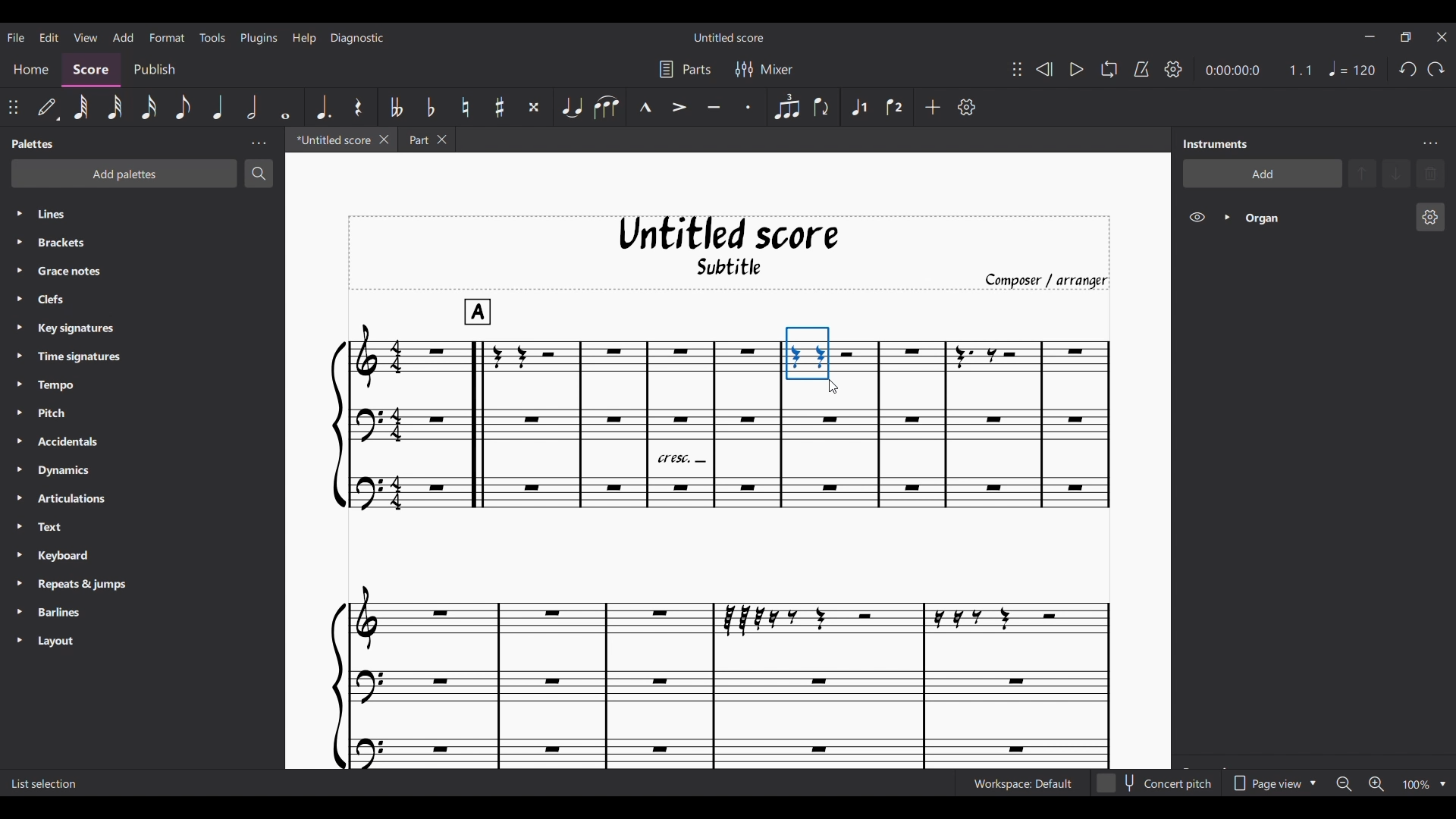 The image size is (1456, 819). I want to click on Rewind, so click(1045, 69).